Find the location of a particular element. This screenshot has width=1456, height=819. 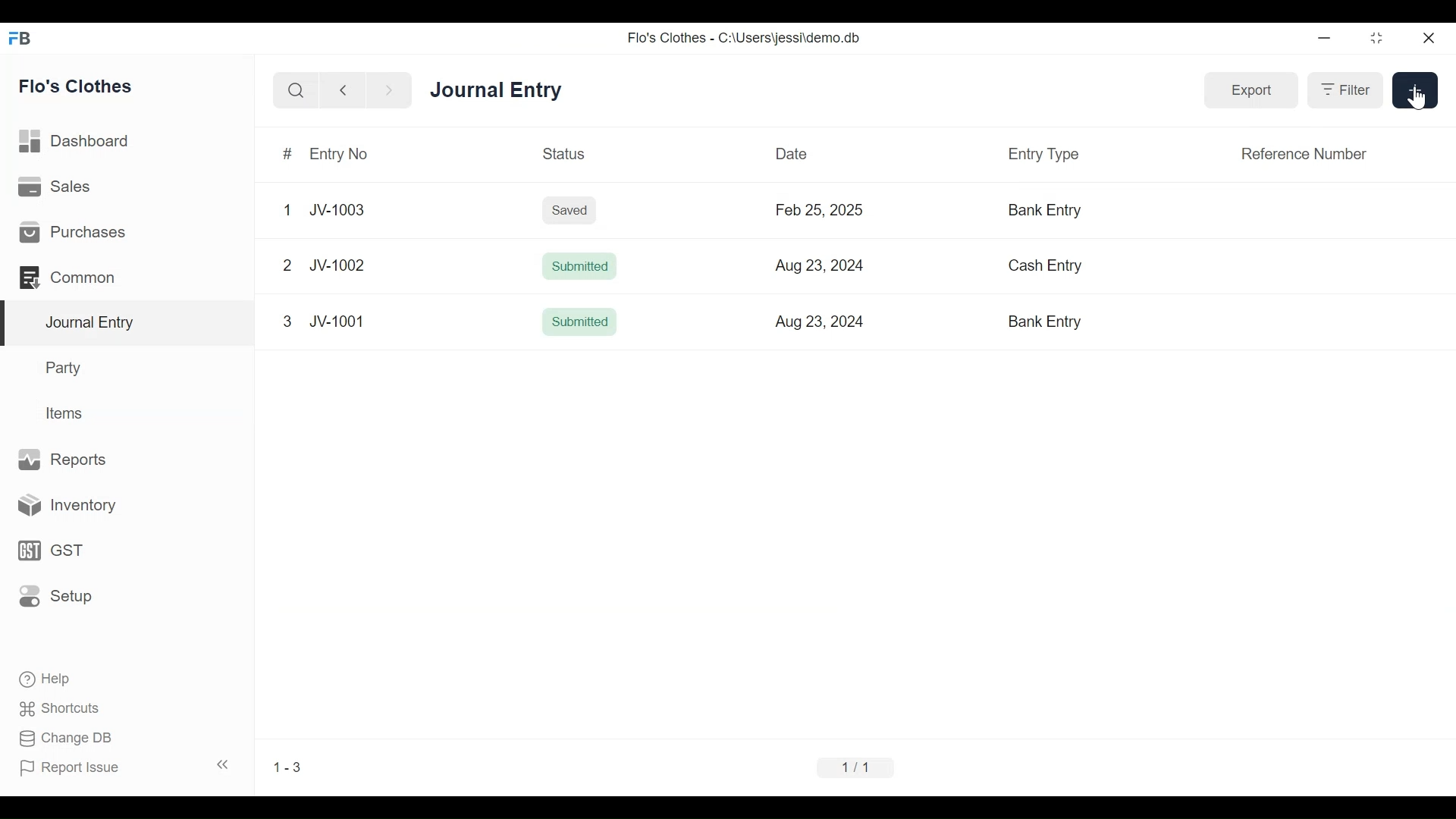

Journal Entry is located at coordinates (130, 324).